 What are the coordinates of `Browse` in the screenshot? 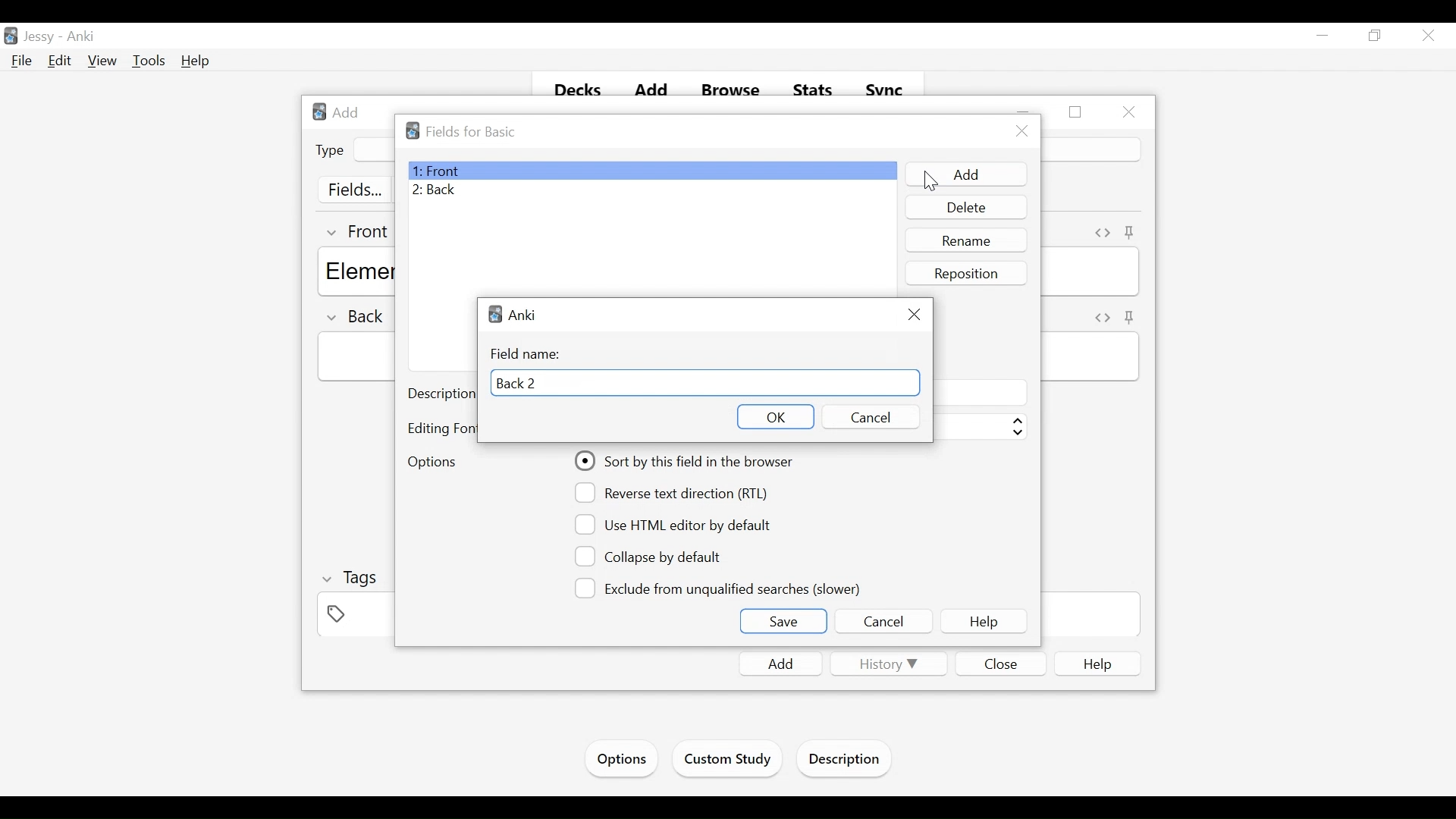 It's located at (733, 91).